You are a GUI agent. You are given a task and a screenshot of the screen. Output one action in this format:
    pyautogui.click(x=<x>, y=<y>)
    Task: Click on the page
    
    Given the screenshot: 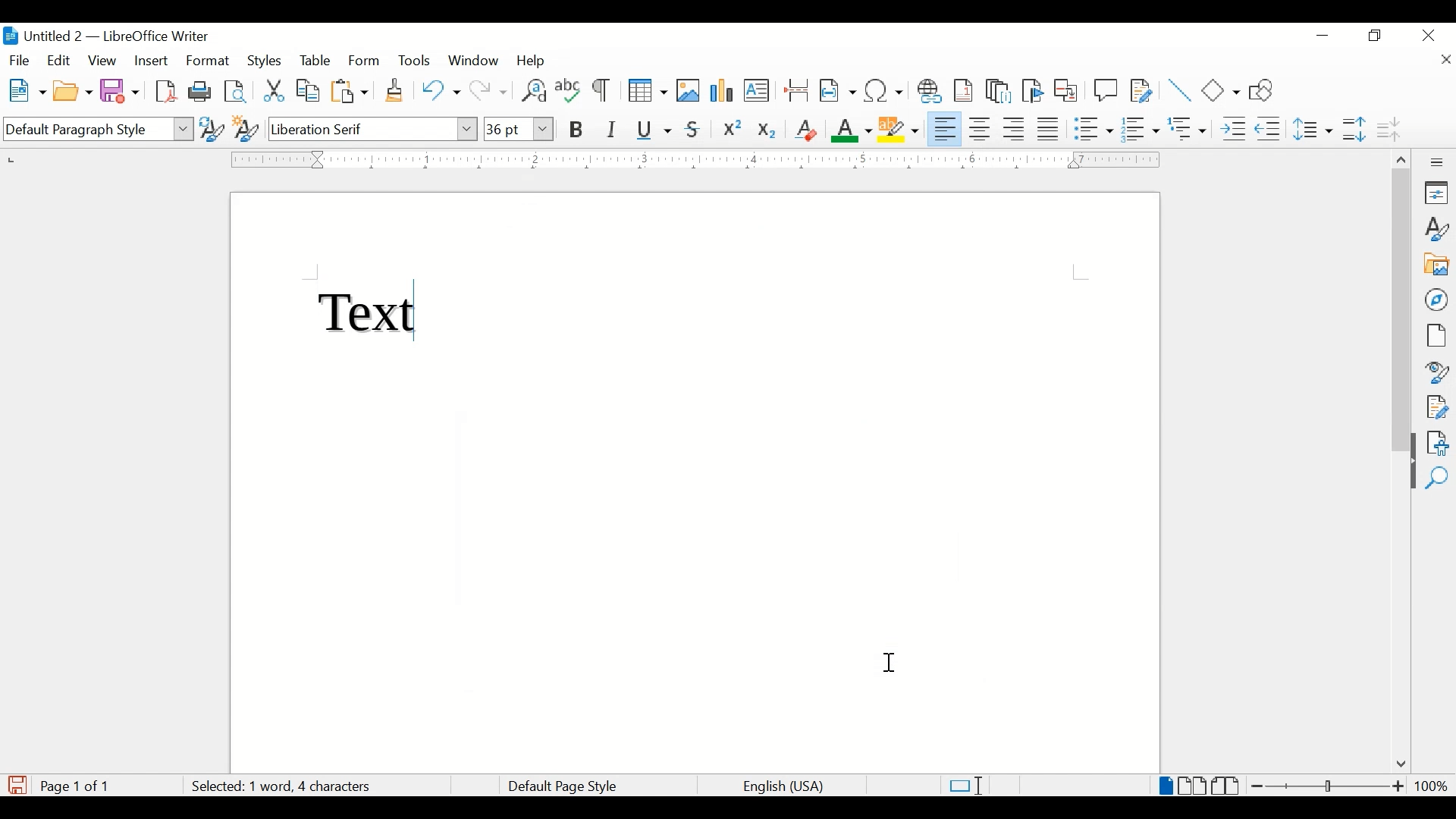 What is the action you would take?
    pyautogui.click(x=1436, y=335)
    